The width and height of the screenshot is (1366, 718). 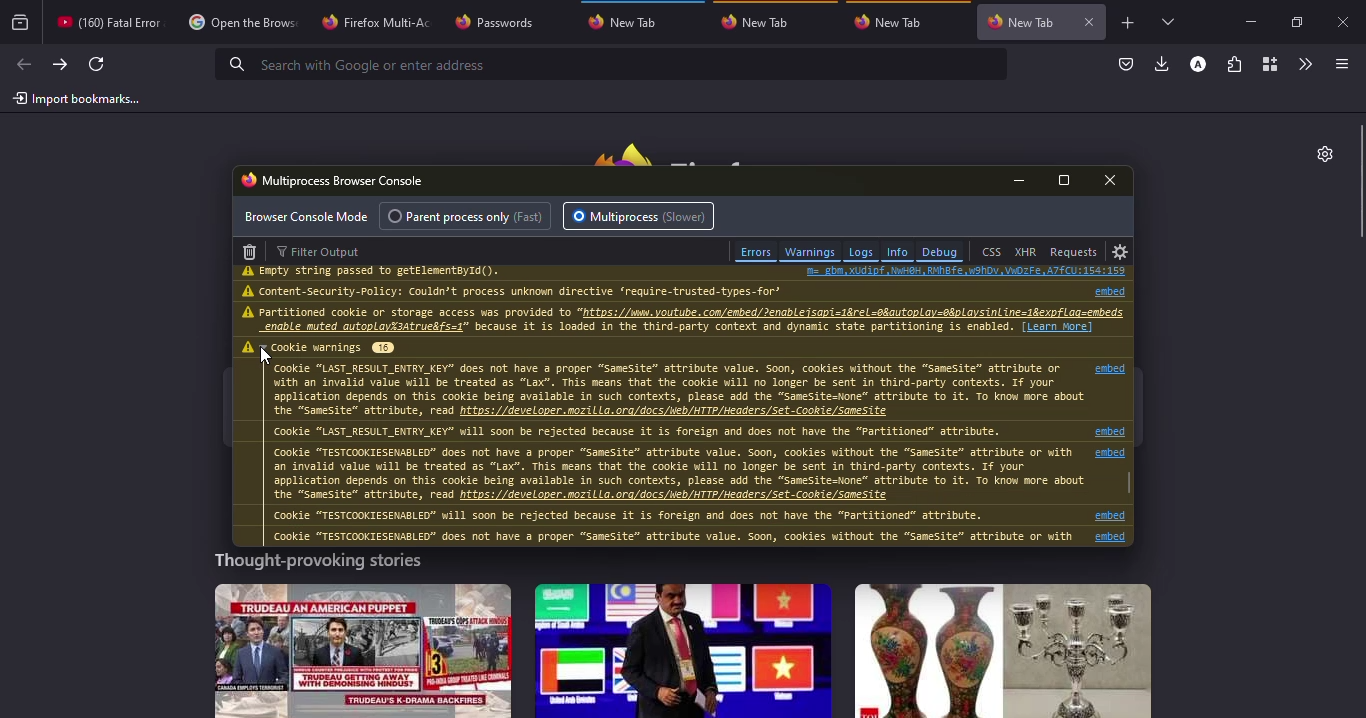 What do you see at coordinates (640, 320) in the screenshot?
I see `info` at bounding box center [640, 320].